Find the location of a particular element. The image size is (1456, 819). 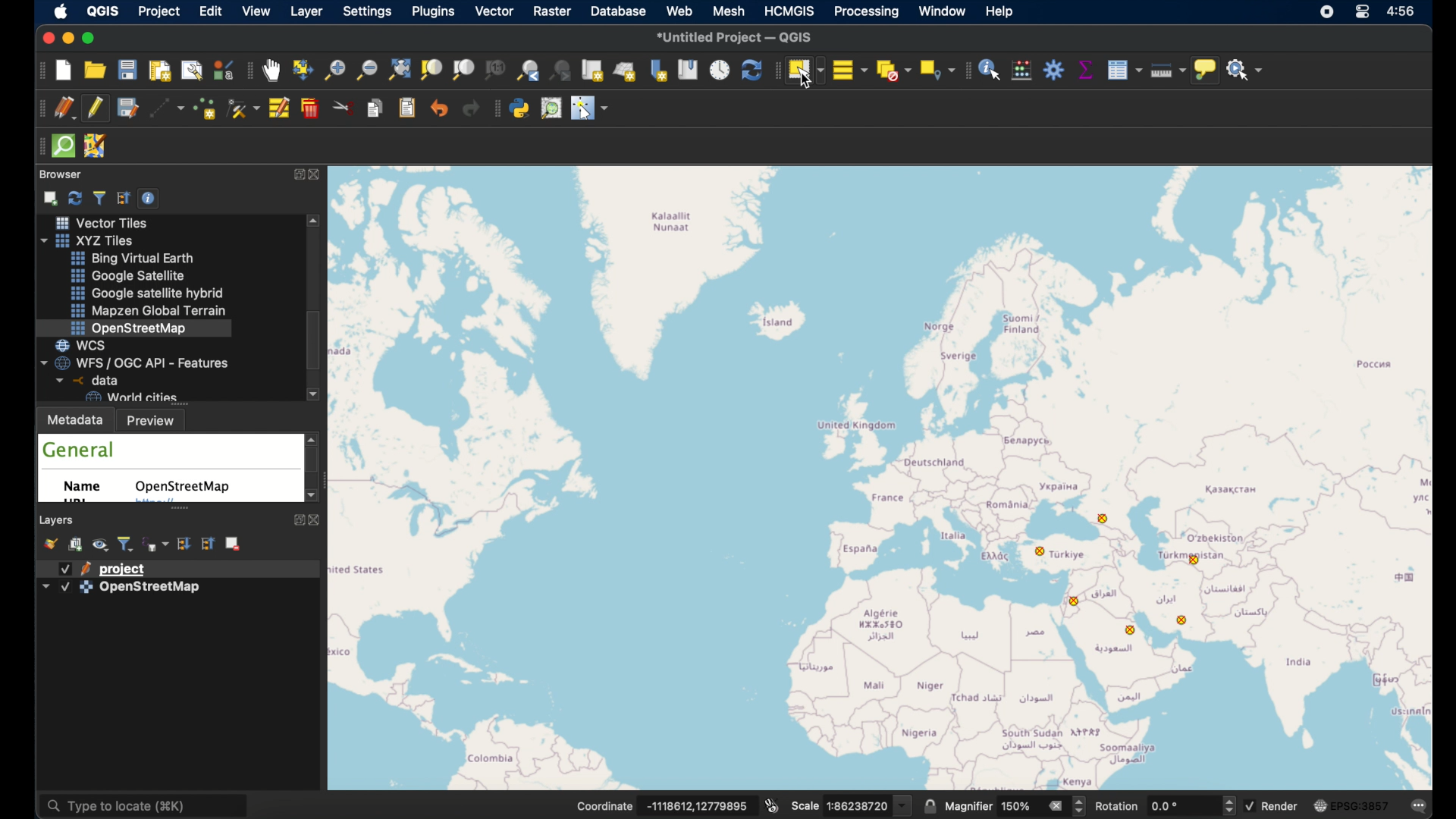

layers is located at coordinates (58, 519).